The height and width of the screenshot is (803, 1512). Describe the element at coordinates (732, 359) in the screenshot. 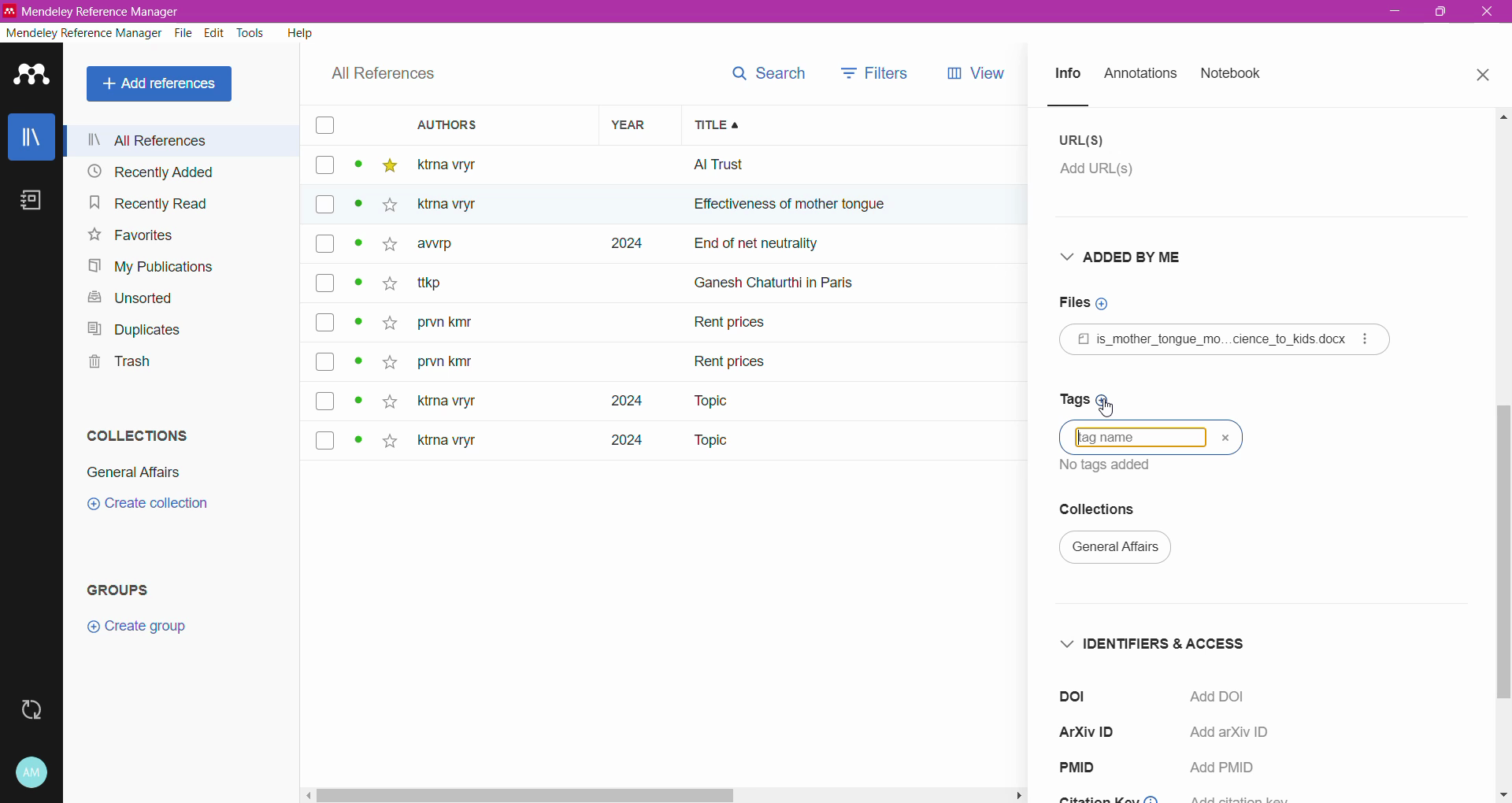

I see `rent prices ` at that location.